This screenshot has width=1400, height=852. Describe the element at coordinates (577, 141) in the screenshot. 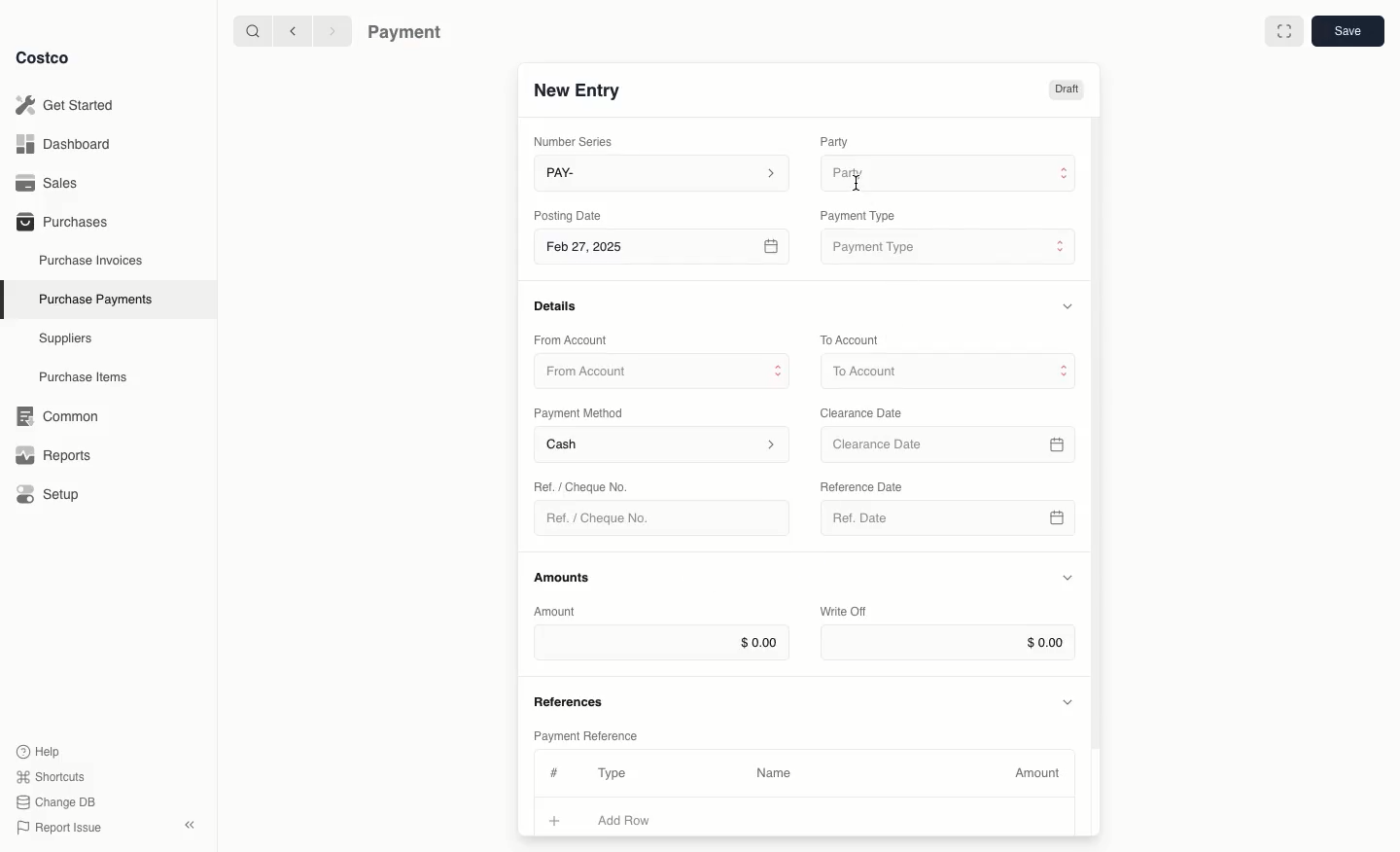

I see `Number Series` at that location.